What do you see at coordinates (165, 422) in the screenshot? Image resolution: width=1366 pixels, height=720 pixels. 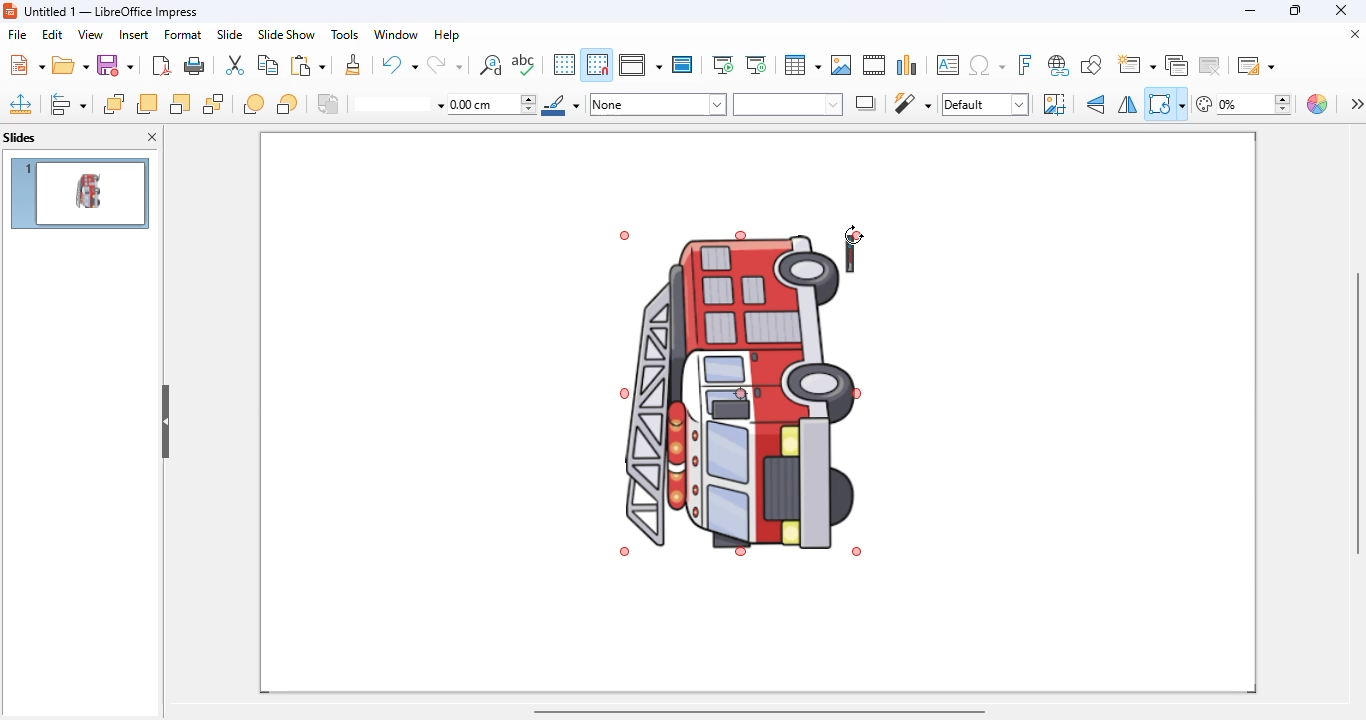 I see `hide` at bounding box center [165, 422].